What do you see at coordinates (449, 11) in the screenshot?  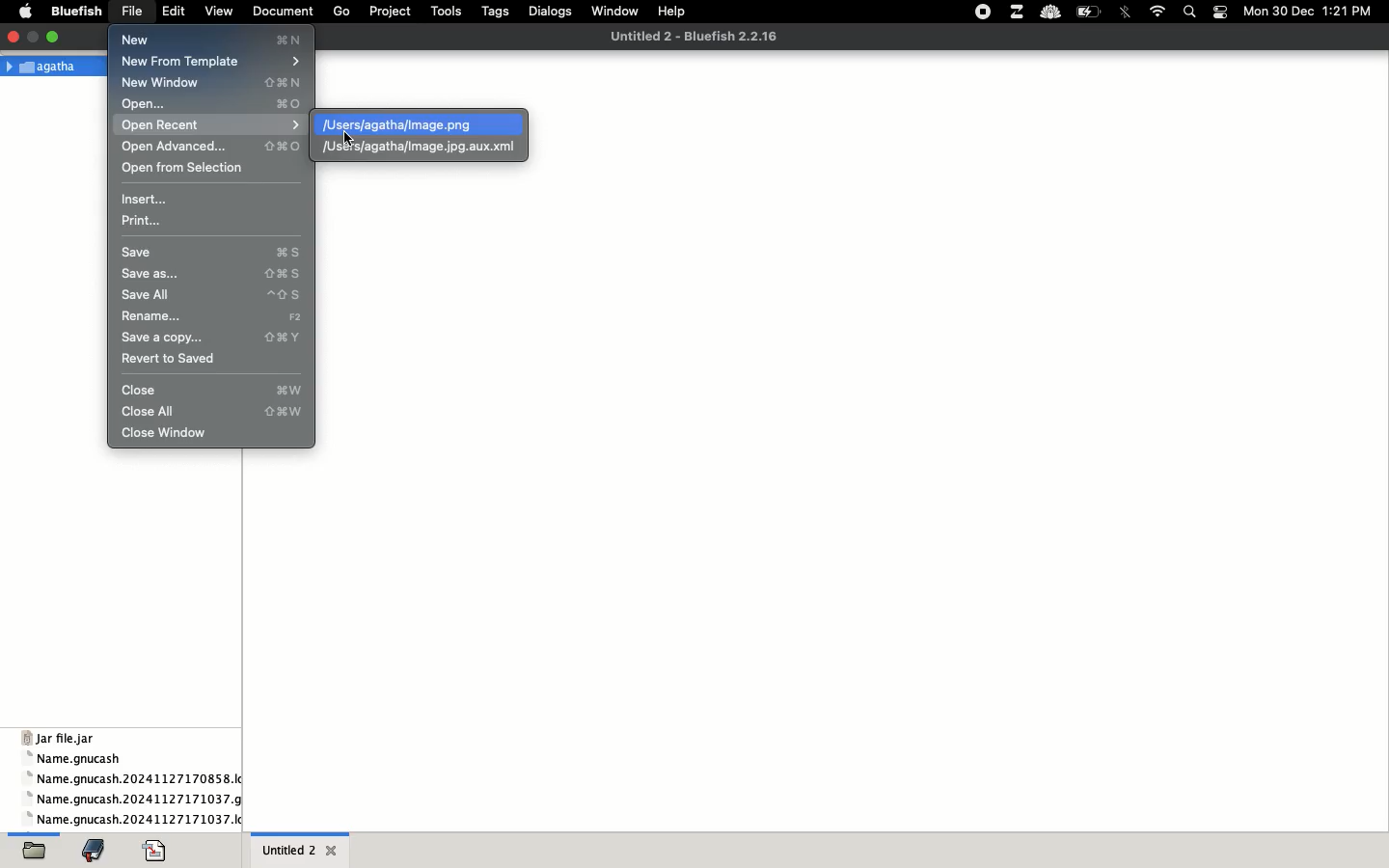 I see `tools` at bounding box center [449, 11].